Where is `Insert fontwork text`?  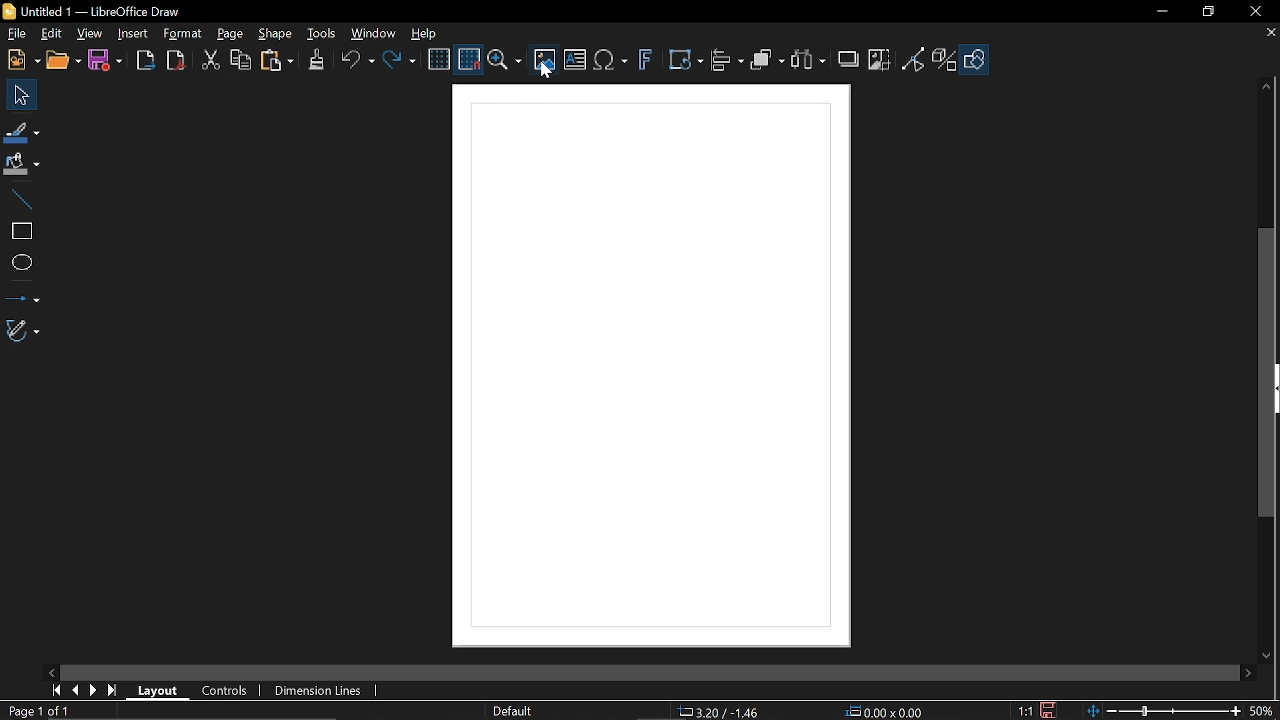
Insert fontwork text is located at coordinates (647, 60).